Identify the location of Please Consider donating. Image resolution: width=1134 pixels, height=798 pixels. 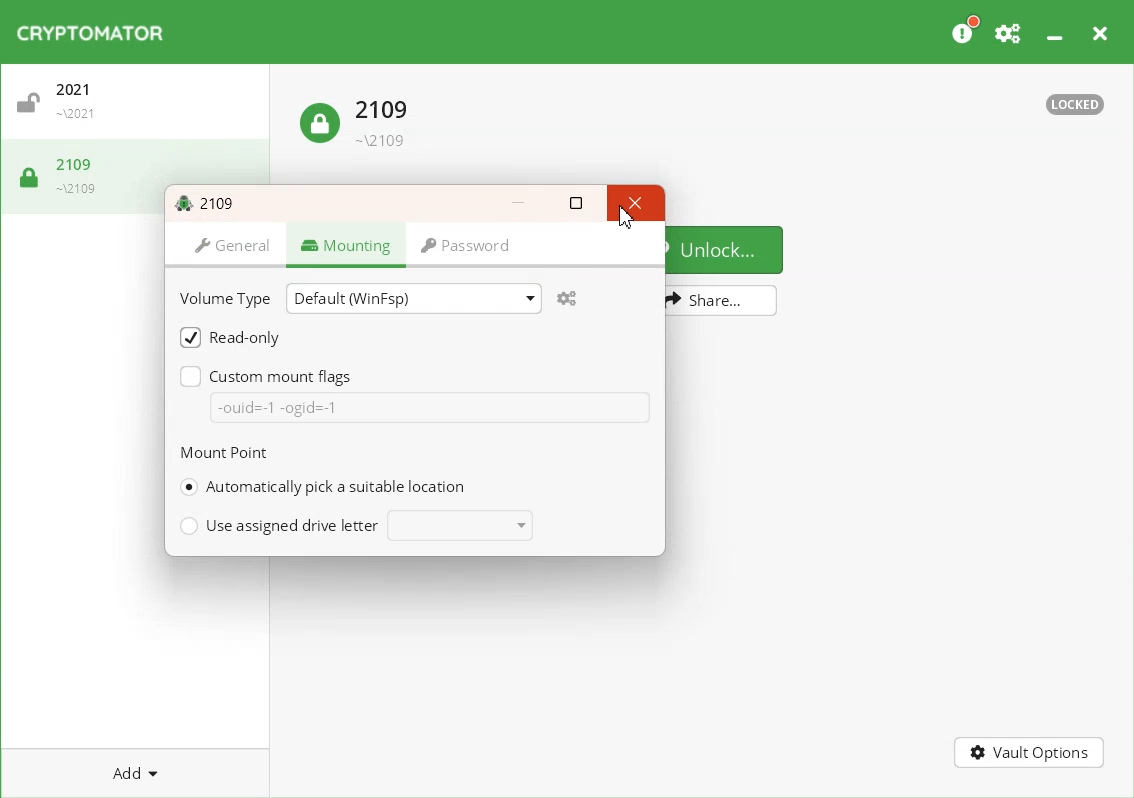
(965, 31).